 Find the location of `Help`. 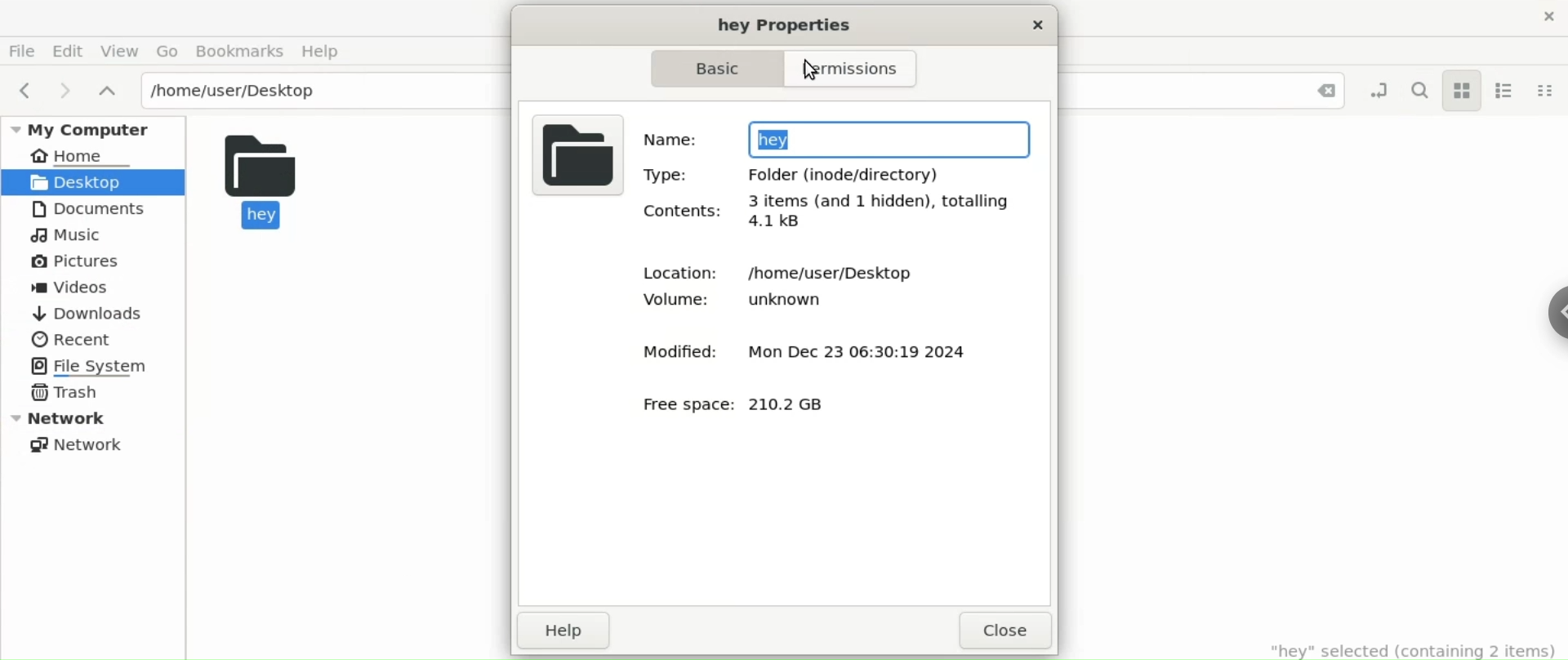

Help is located at coordinates (571, 631).